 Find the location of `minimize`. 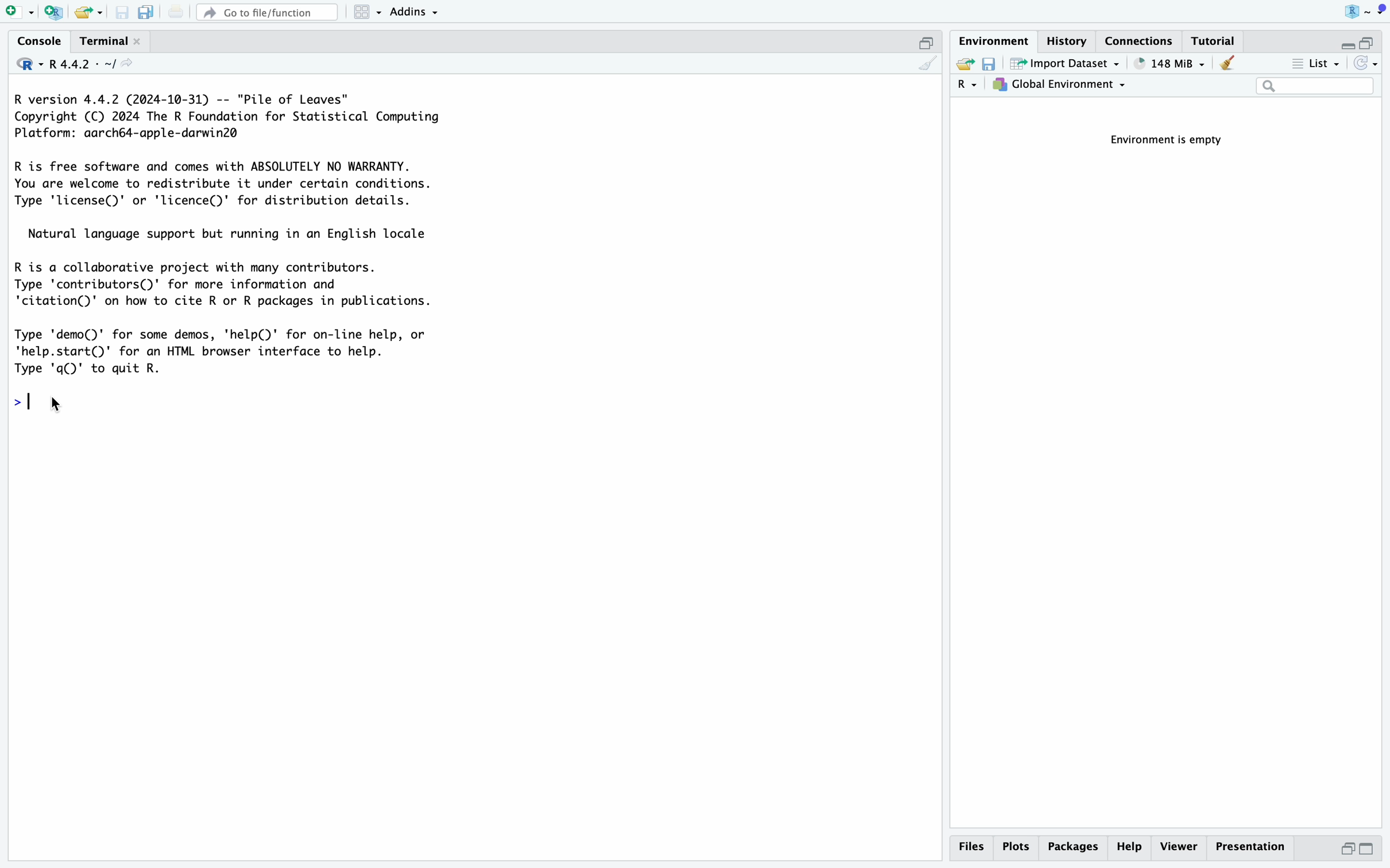

minimize is located at coordinates (1342, 852).